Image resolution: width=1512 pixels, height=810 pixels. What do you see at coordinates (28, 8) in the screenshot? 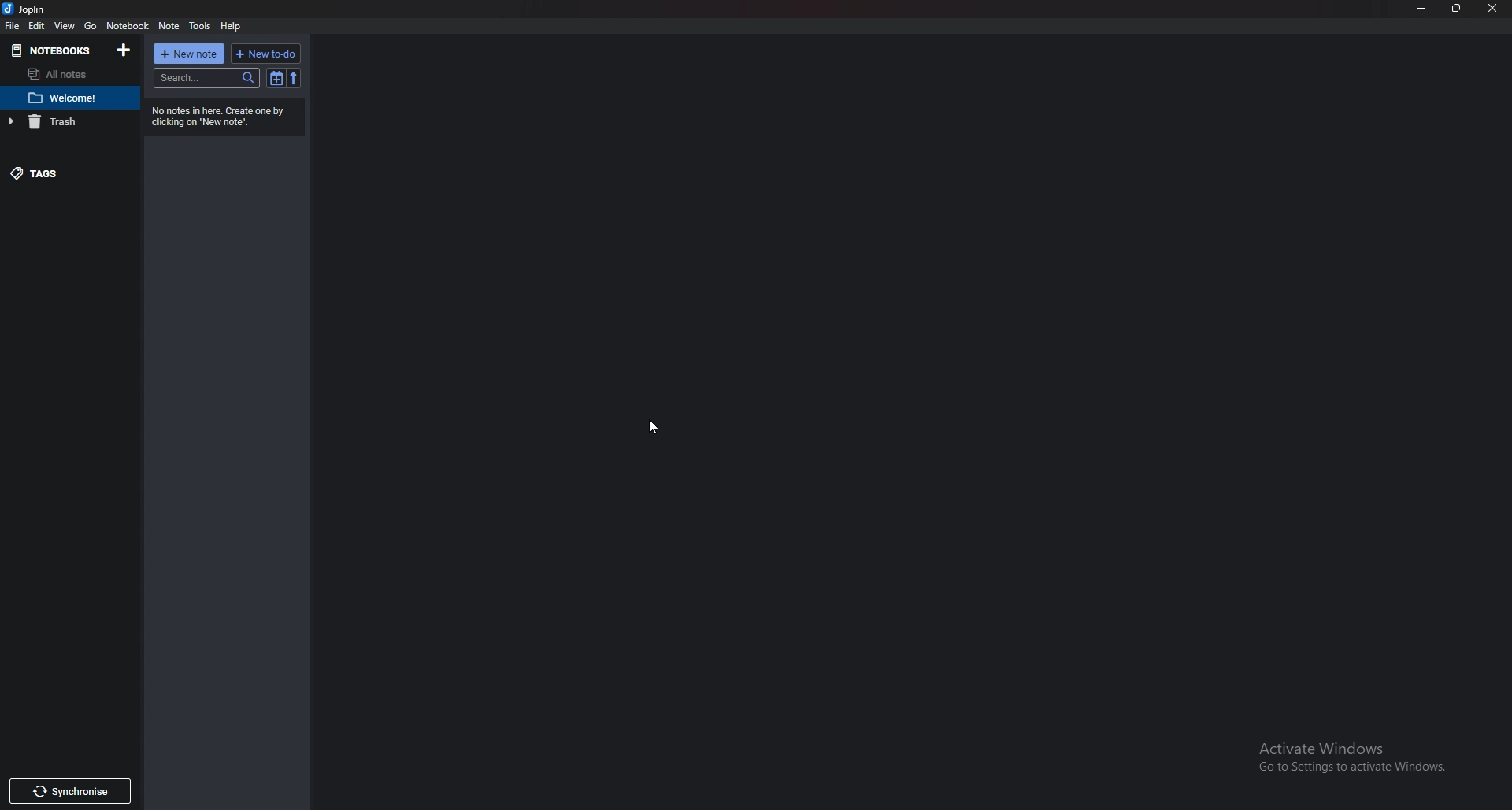
I see `joplin` at bounding box center [28, 8].